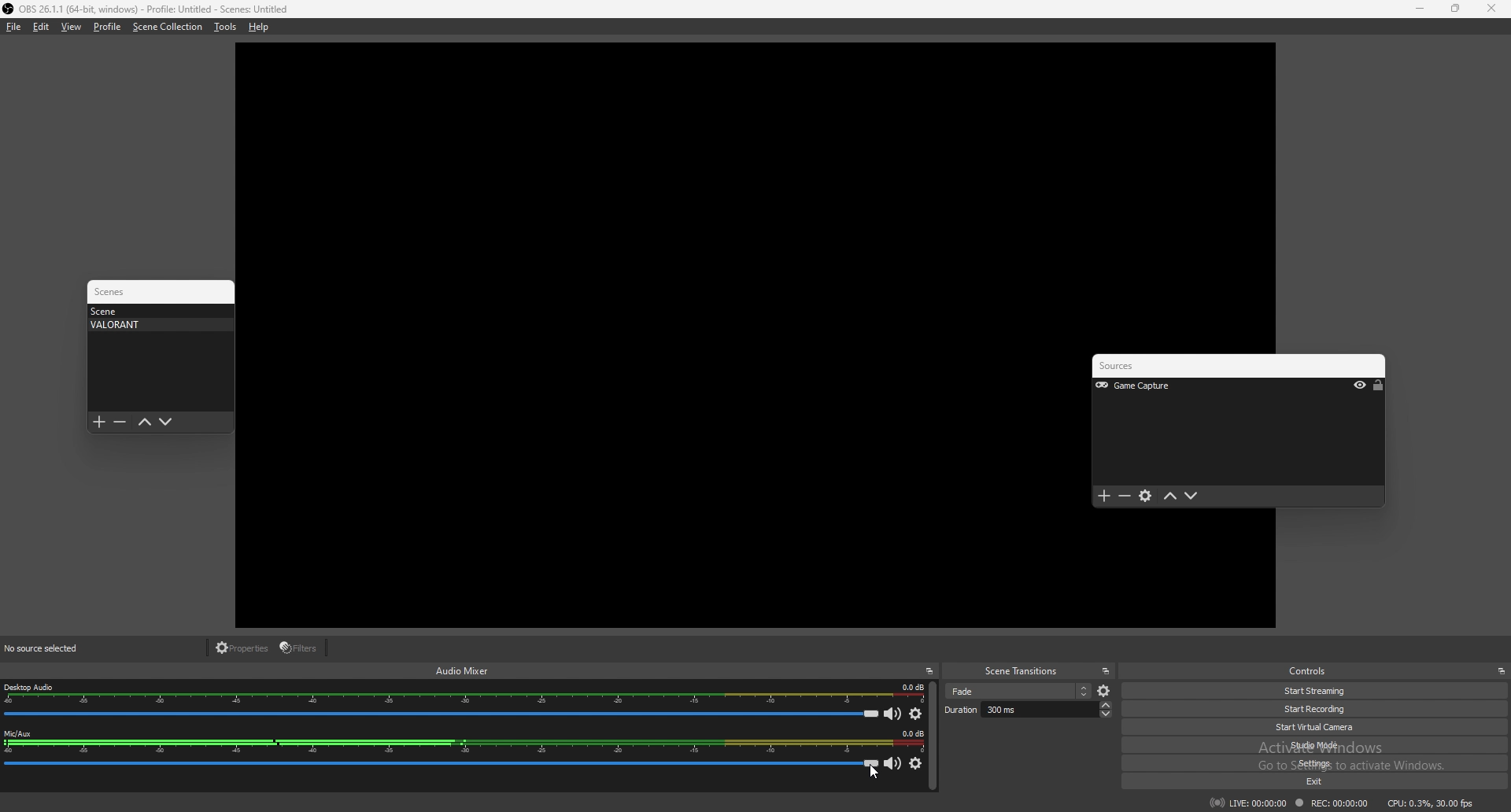 The height and width of the screenshot is (812, 1511). Describe the element at coordinates (1378, 386) in the screenshot. I see `lock` at that location.